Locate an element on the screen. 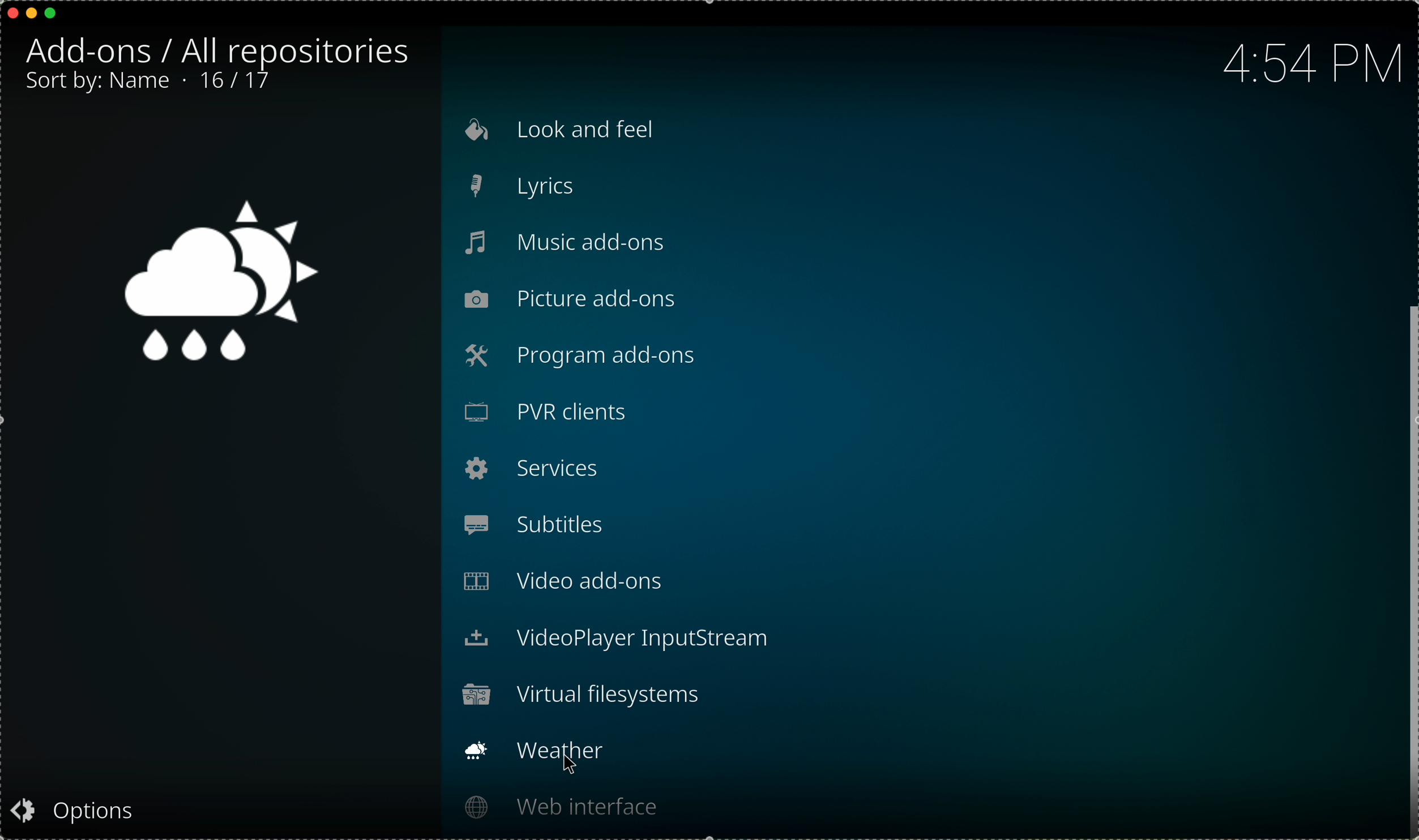 This screenshot has height=840, width=1419. virtual filesystems is located at coordinates (583, 696).